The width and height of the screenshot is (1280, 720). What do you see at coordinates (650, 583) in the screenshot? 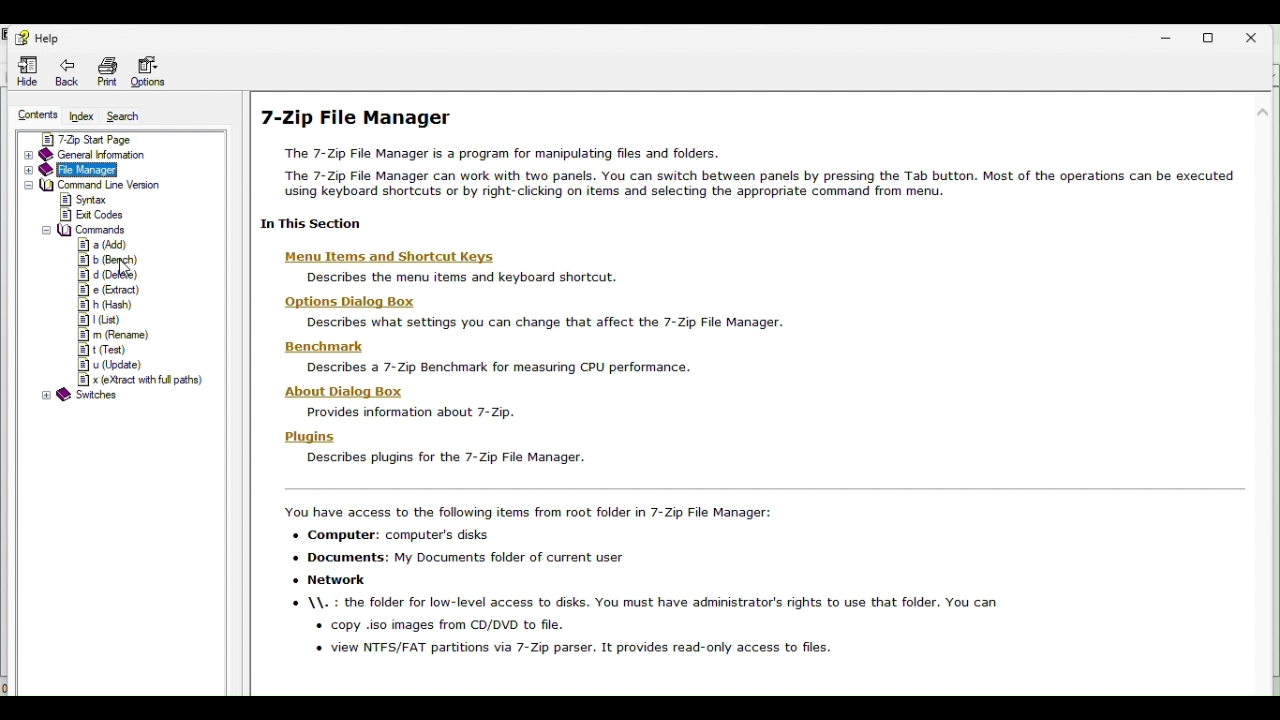
I see `You have access to the following items from root folder in 7-Zip File Manager:
+ Computer: computer's disks
+ Documents: My Documents folder of current user
+ Network
 \\. : the folder for low-level access to disks. You must have administrator's rights to use that folder. You can
« copy .iso images from CD/DVD to file.
« view NTFS/FAT partitions via 7-Zip parser. It provides read-only access to files.` at bounding box center [650, 583].